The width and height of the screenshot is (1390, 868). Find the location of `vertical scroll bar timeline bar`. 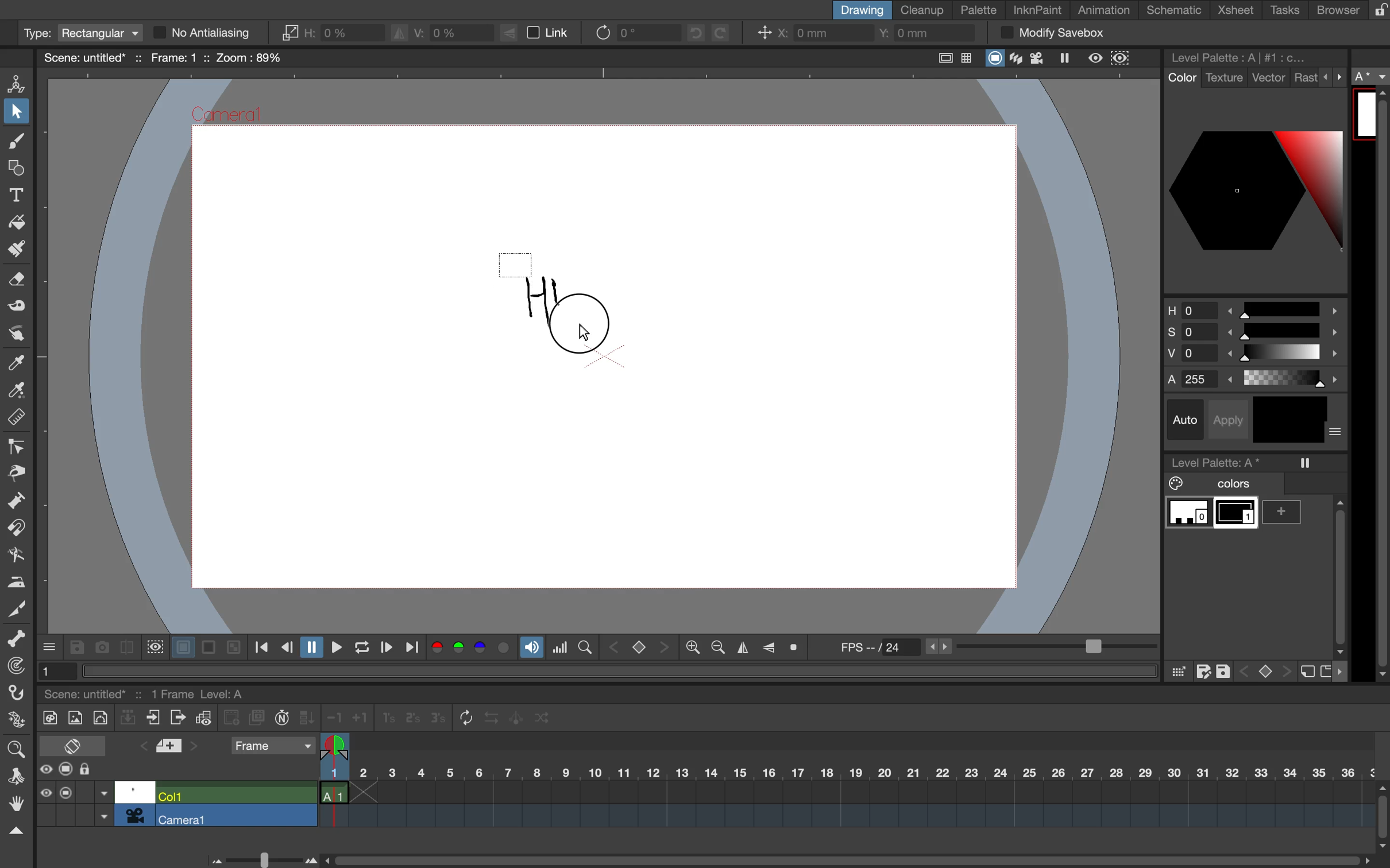

vertical scroll bar timeline bar is located at coordinates (1381, 815).